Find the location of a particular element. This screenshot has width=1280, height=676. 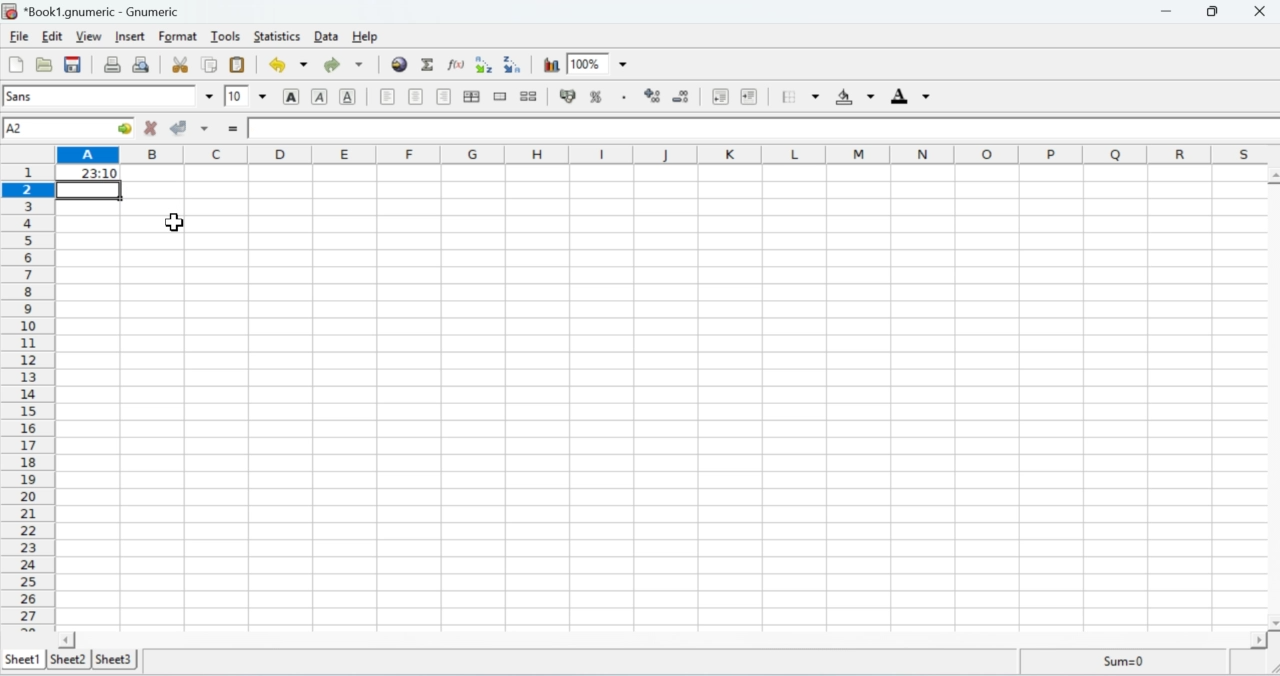

Print the current file is located at coordinates (113, 64).